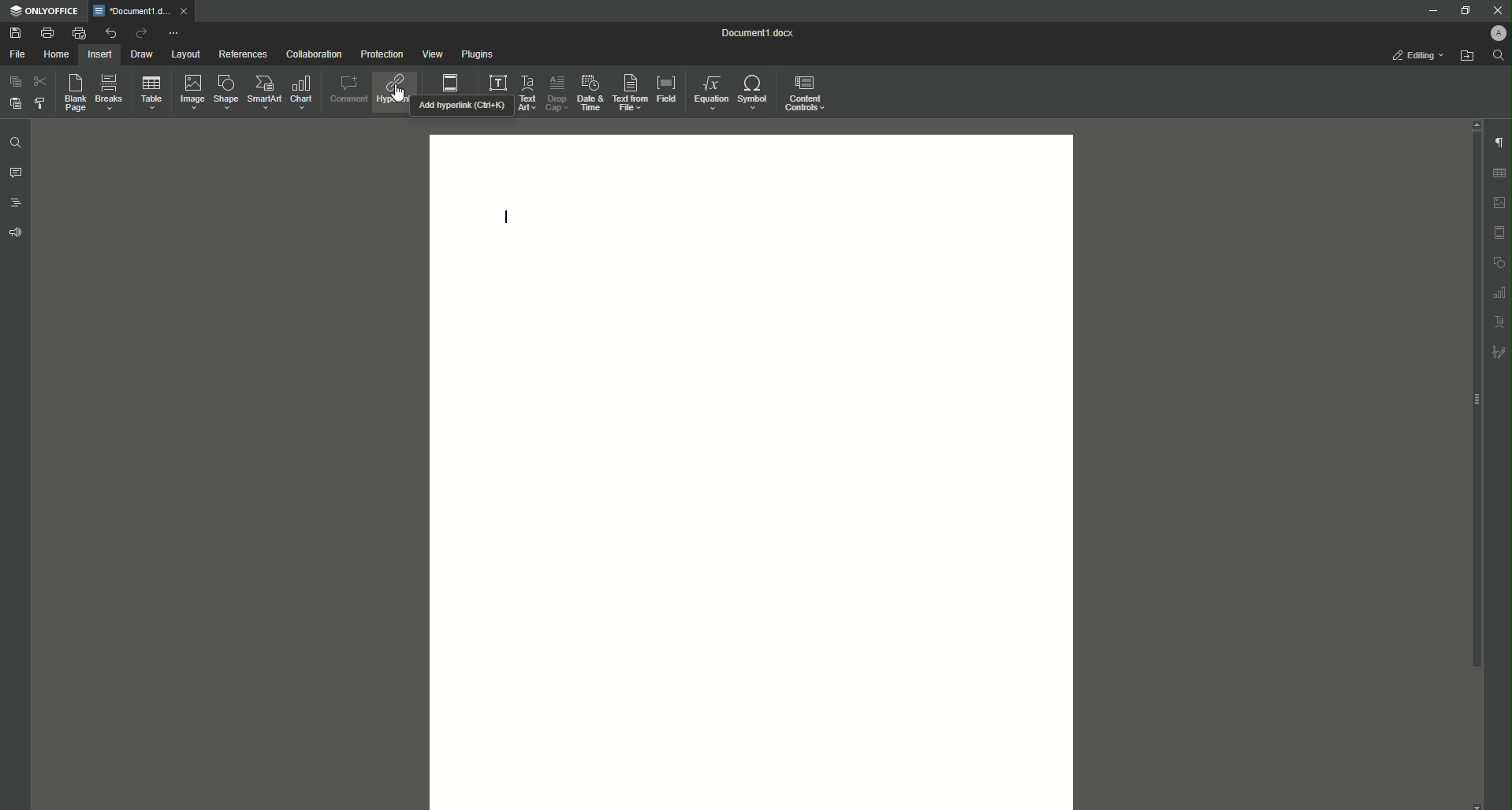 This screenshot has height=810, width=1512. I want to click on Minimize, so click(1427, 10).